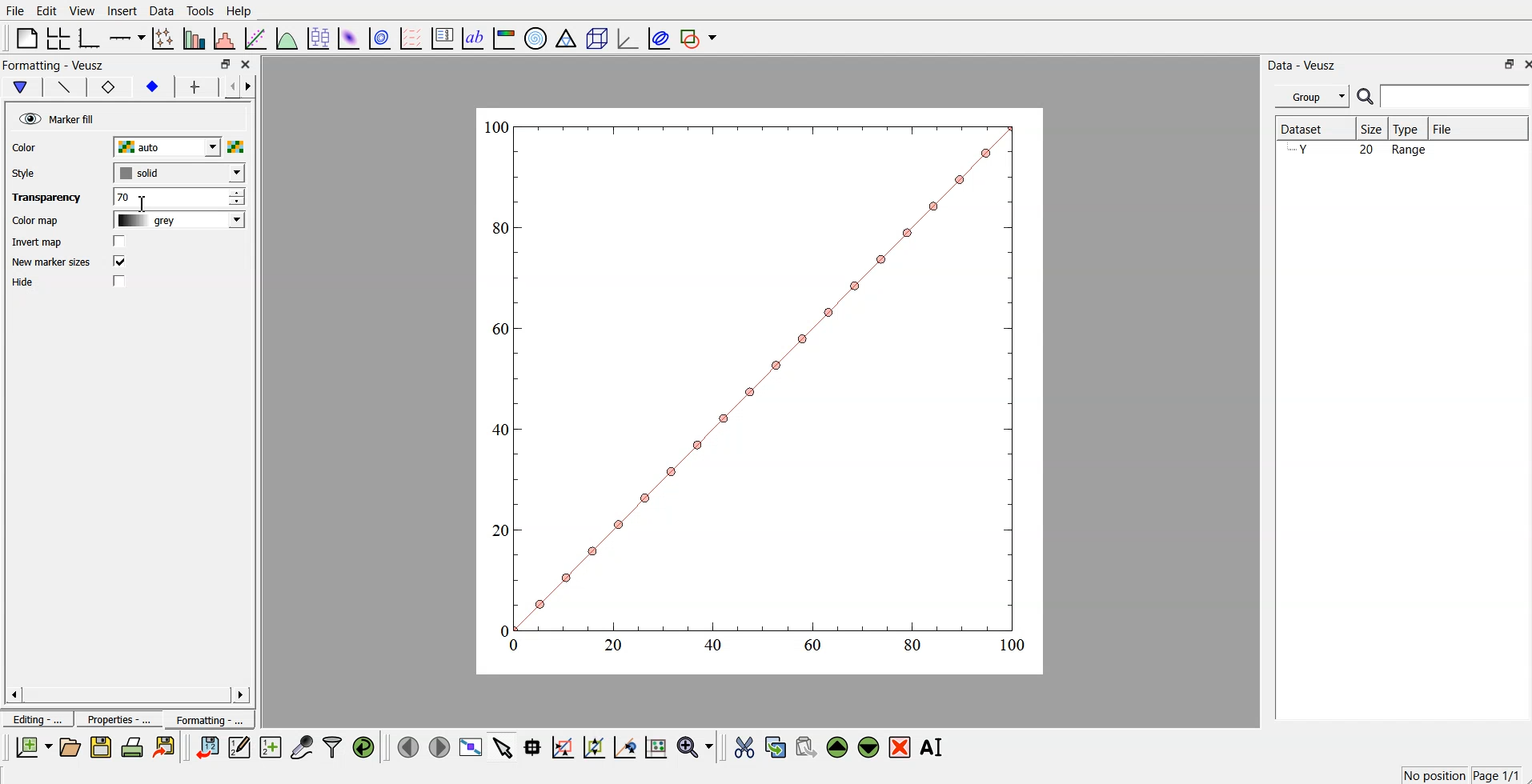  What do you see at coordinates (195, 38) in the screenshot?
I see `plot bar graphs` at bounding box center [195, 38].